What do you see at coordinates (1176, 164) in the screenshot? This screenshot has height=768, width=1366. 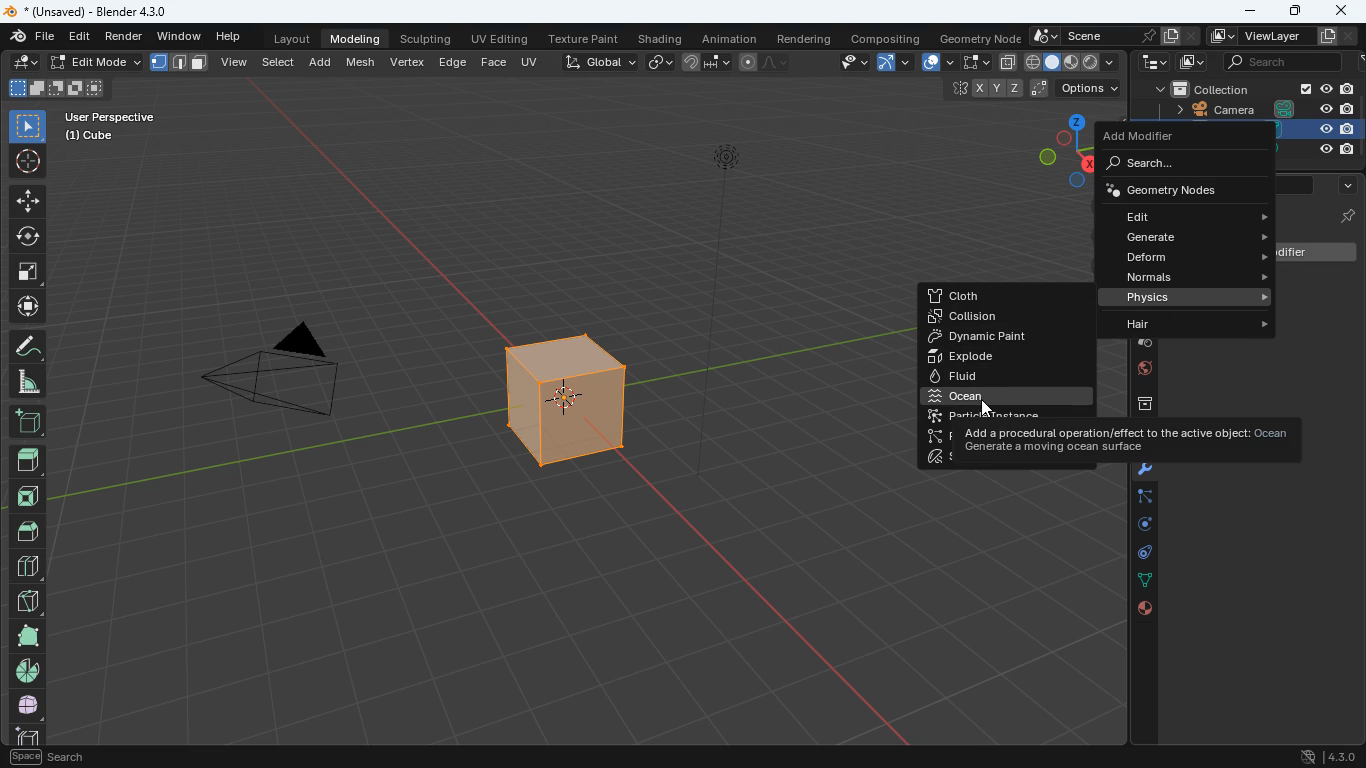 I see `search` at bounding box center [1176, 164].